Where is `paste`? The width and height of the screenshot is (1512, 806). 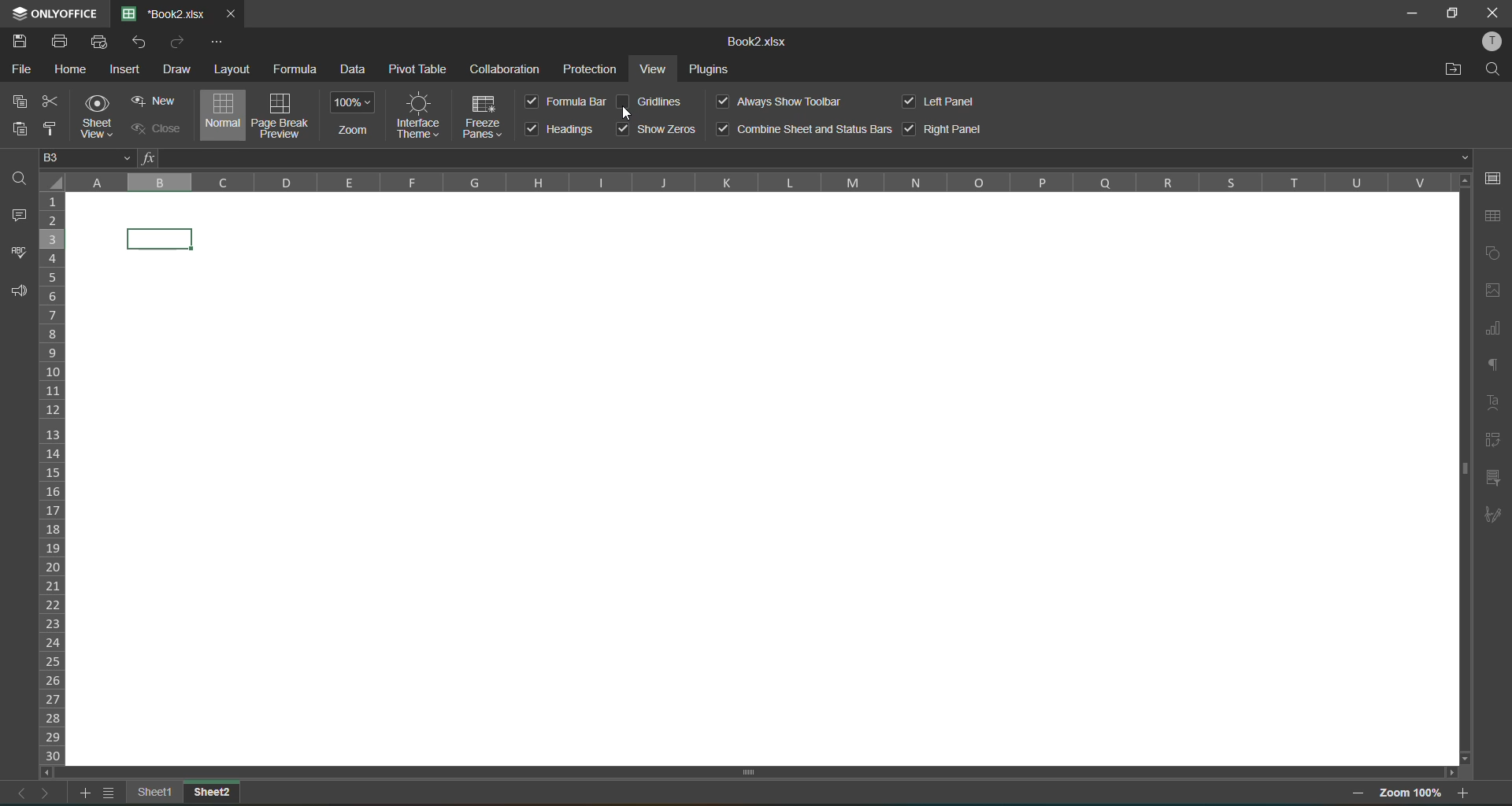
paste is located at coordinates (15, 129).